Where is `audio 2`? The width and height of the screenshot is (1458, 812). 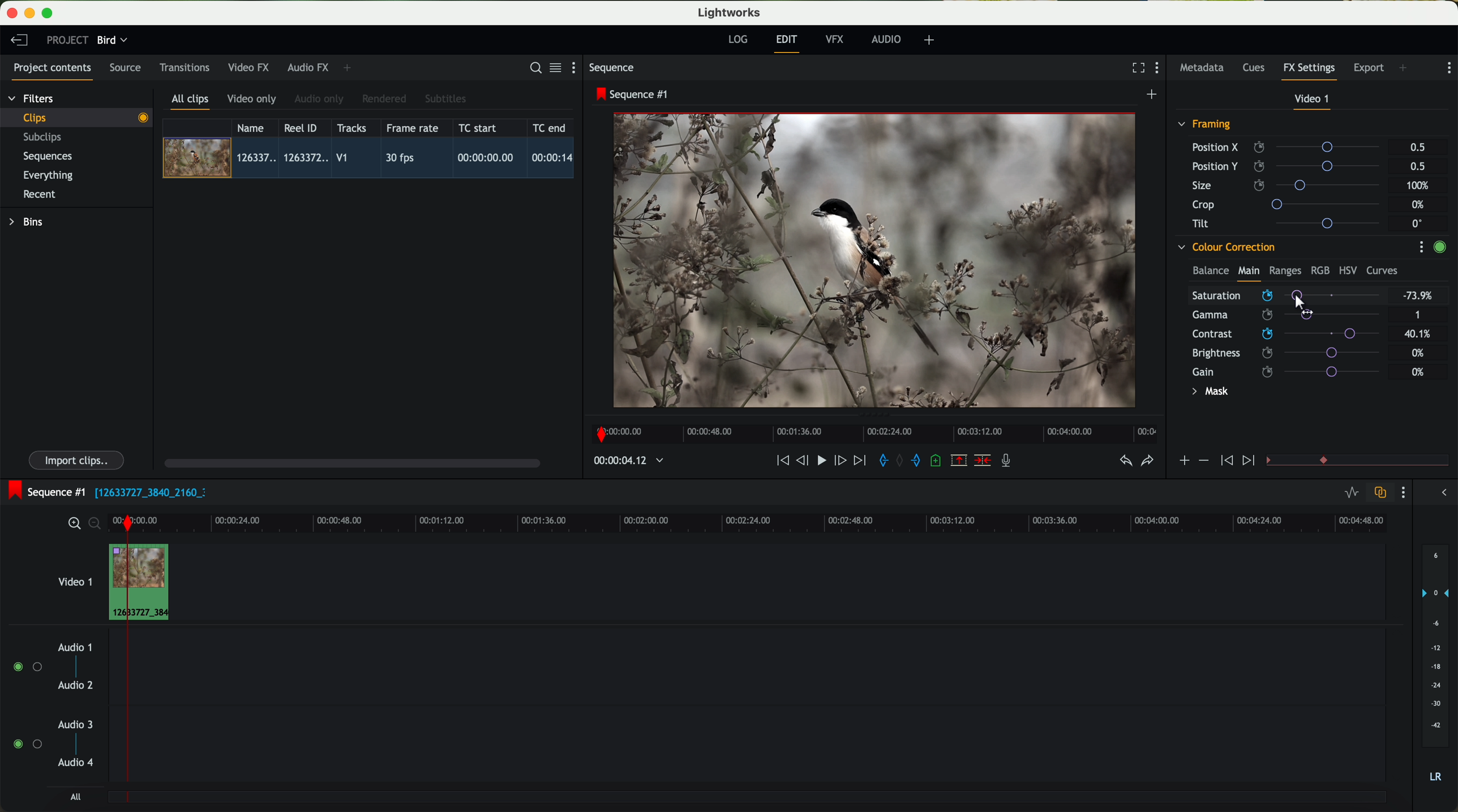 audio 2 is located at coordinates (76, 686).